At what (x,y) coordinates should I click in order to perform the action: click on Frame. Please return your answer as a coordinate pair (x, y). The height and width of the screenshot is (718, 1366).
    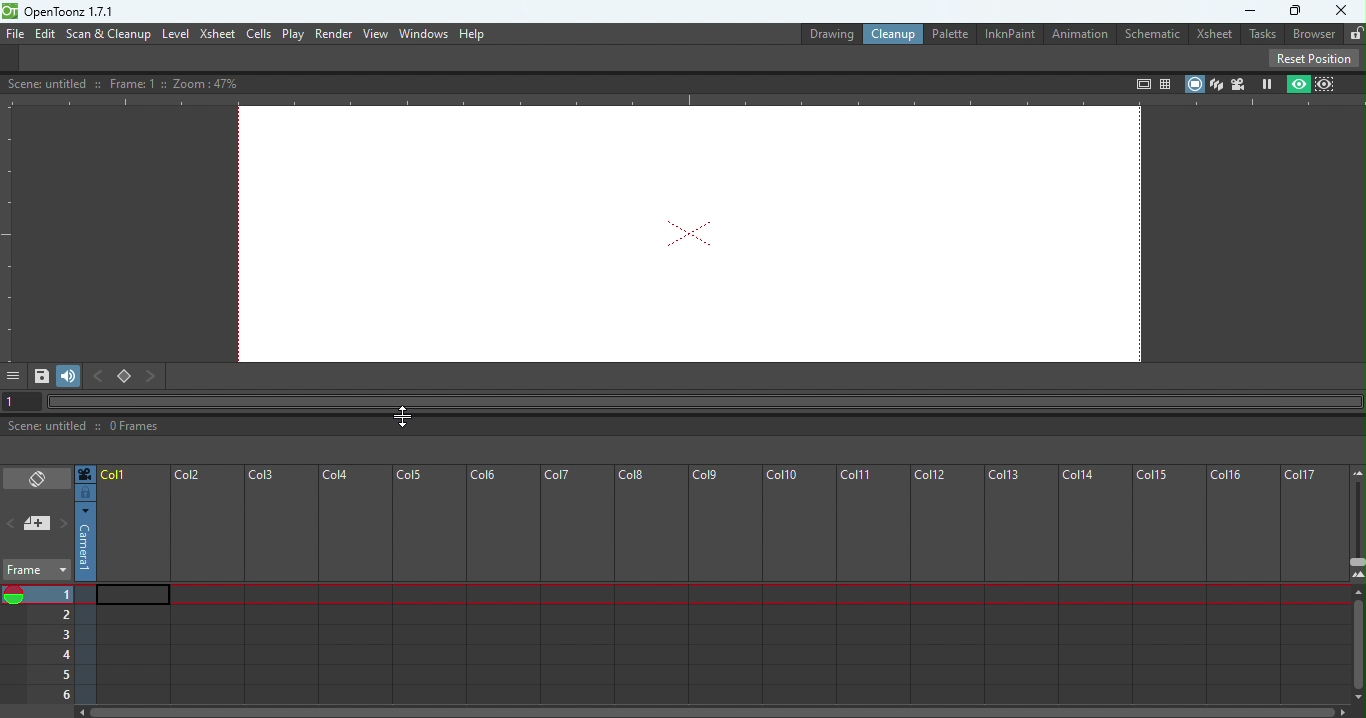
    Looking at the image, I should click on (723, 581).